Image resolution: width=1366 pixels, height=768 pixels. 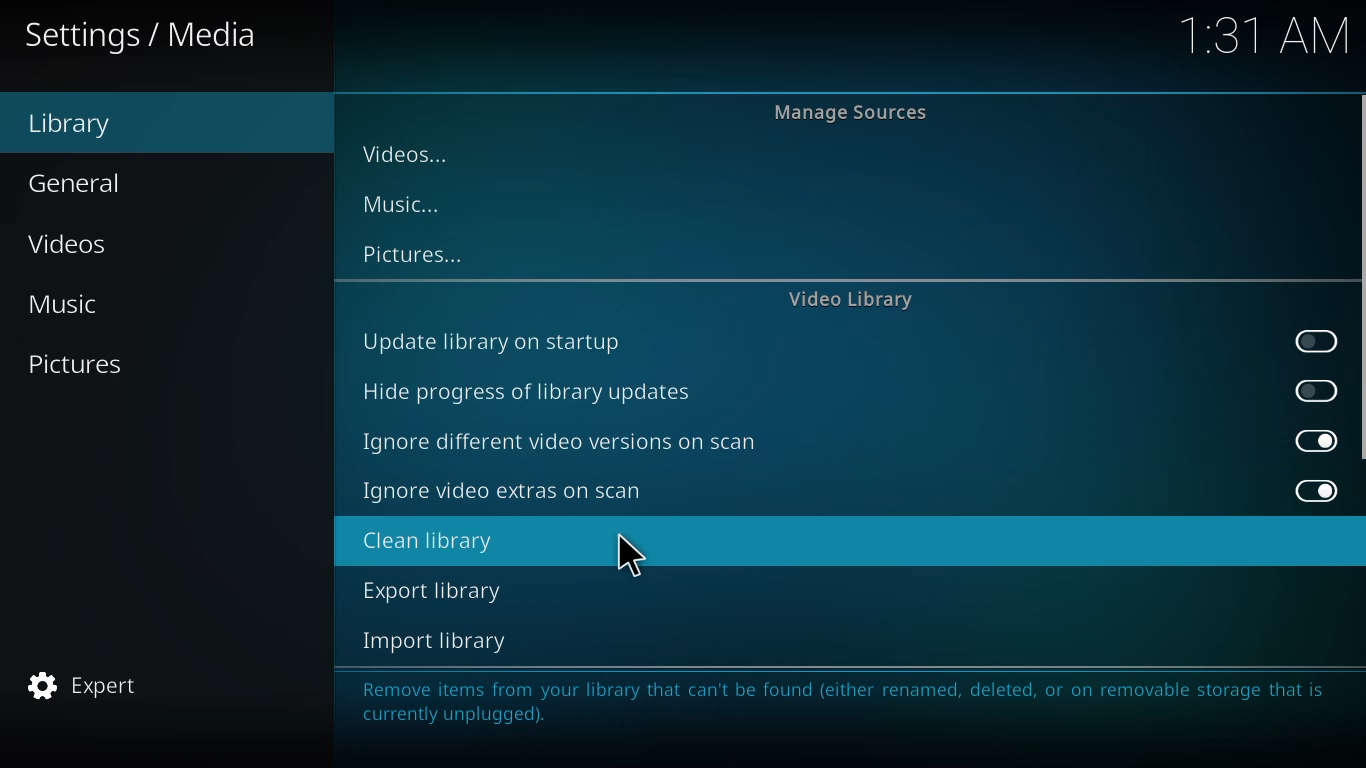 What do you see at coordinates (852, 110) in the screenshot?
I see `manage sources` at bounding box center [852, 110].